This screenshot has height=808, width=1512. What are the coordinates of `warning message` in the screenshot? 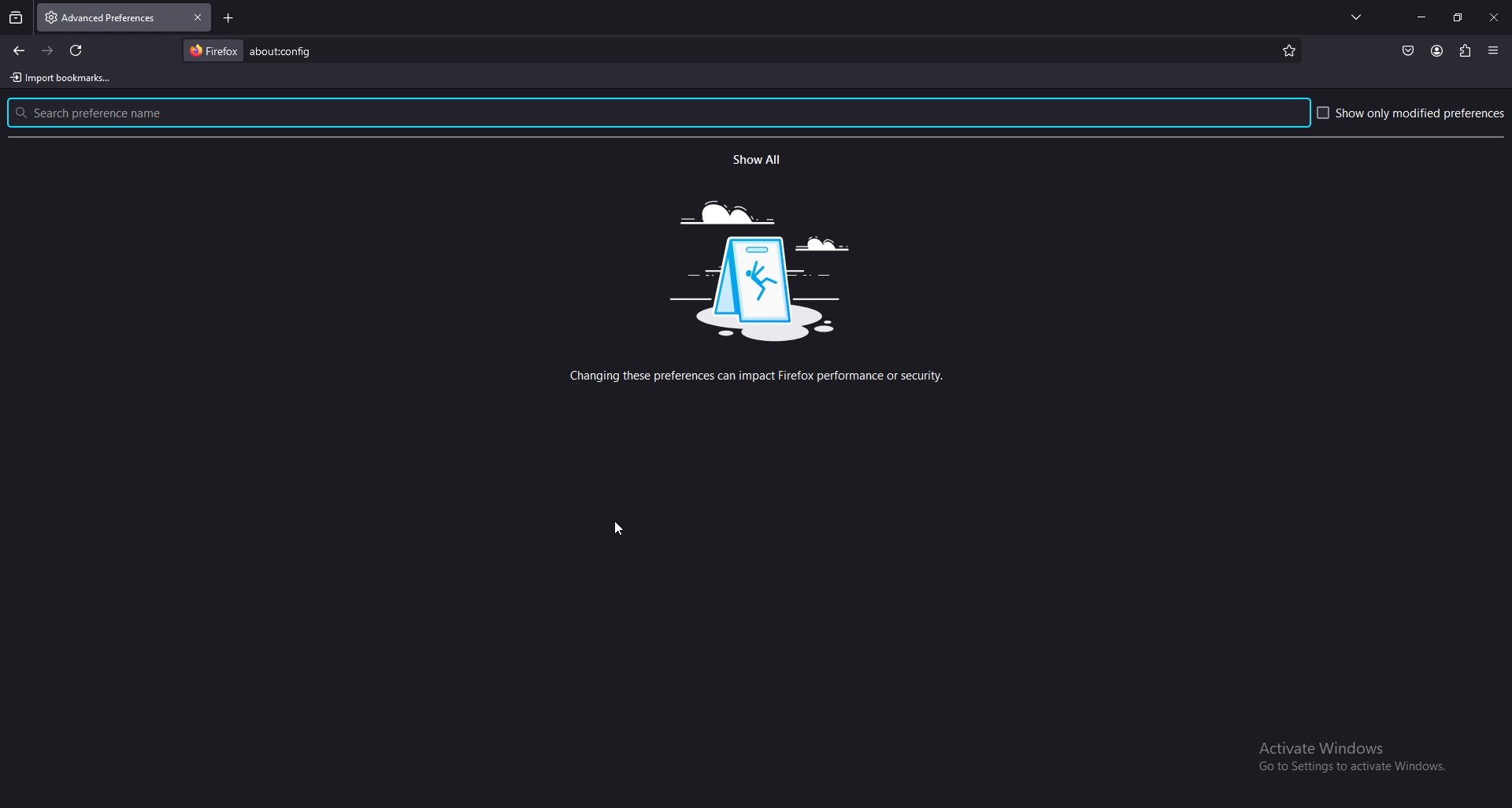 It's located at (755, 375).